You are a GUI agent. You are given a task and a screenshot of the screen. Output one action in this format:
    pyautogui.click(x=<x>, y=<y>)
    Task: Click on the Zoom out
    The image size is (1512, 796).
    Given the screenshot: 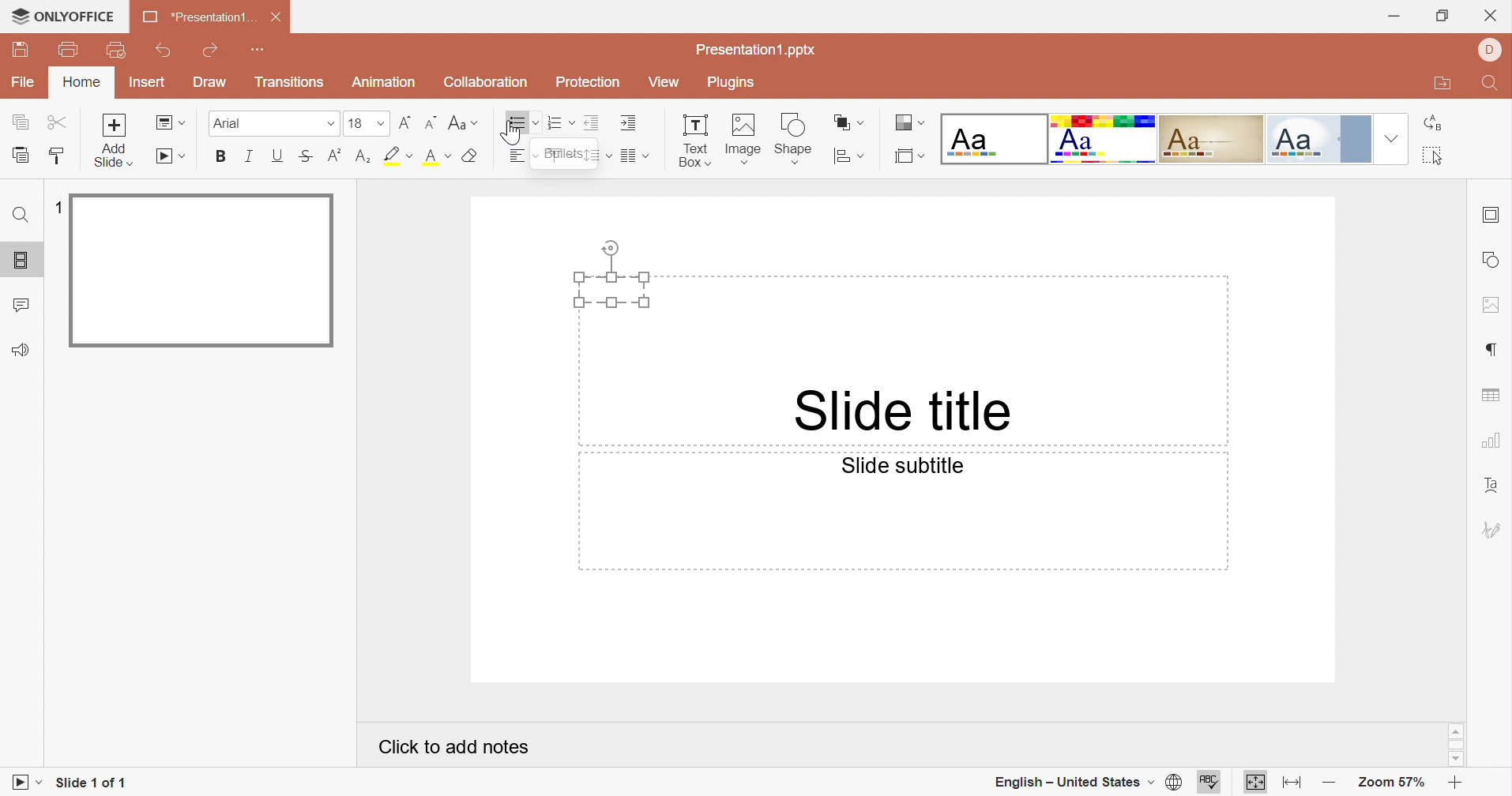 What is the action you would take?
    pyautogui.click(x=1330, y=782)
    